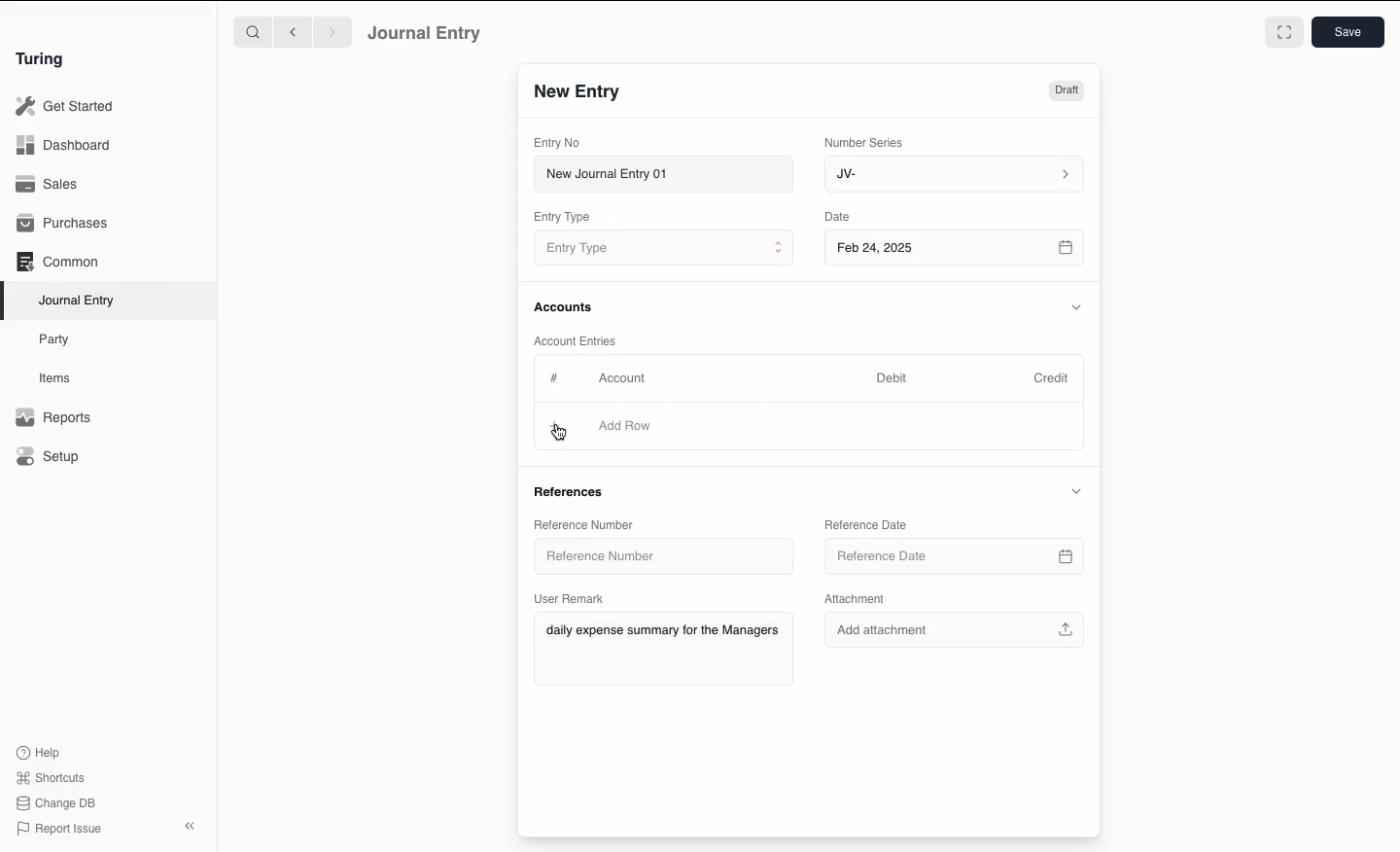  I want to click on Setup, so click(49, 455).